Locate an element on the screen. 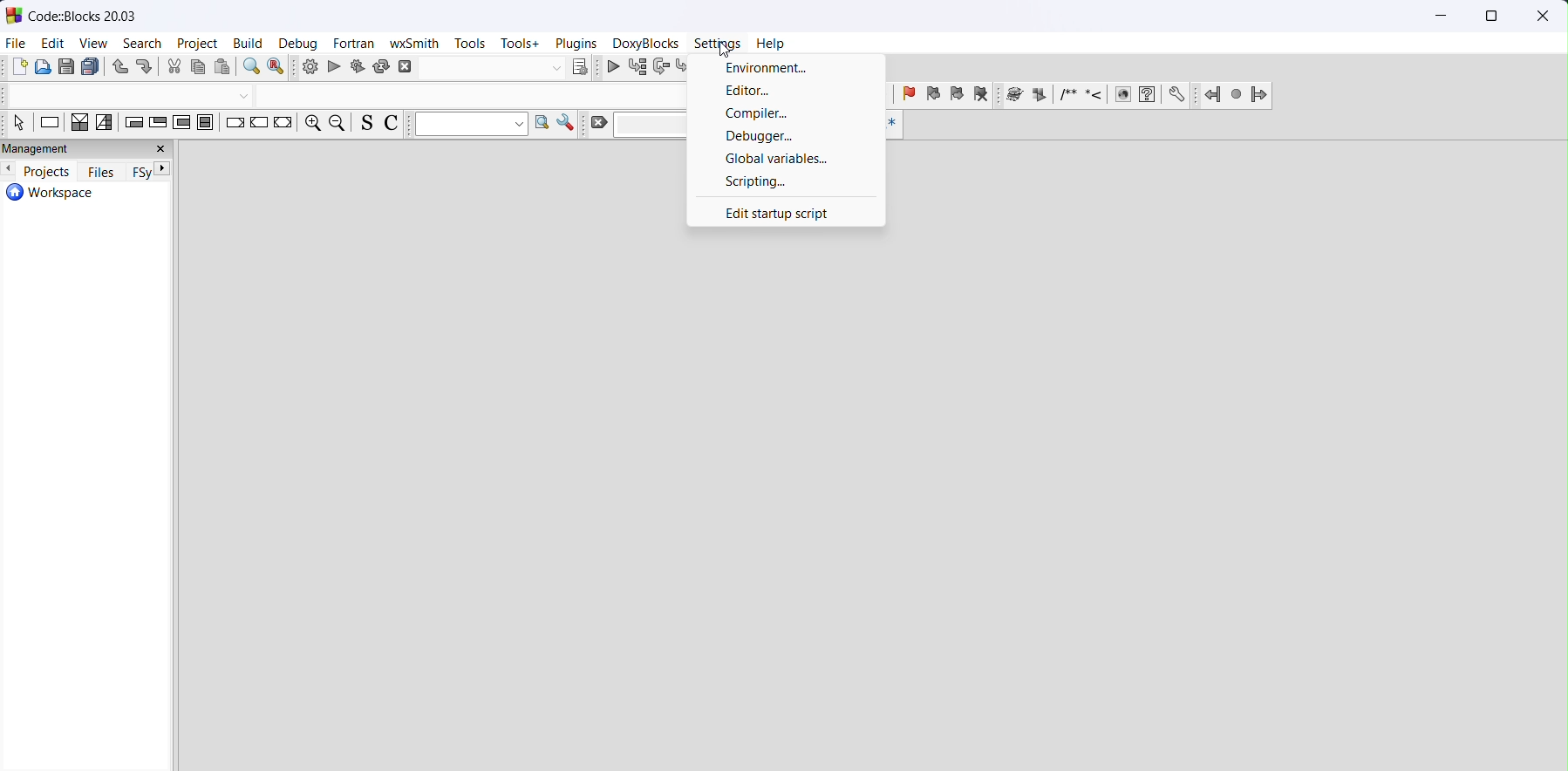  exit conditional loop is located at coordinates (158, 124).